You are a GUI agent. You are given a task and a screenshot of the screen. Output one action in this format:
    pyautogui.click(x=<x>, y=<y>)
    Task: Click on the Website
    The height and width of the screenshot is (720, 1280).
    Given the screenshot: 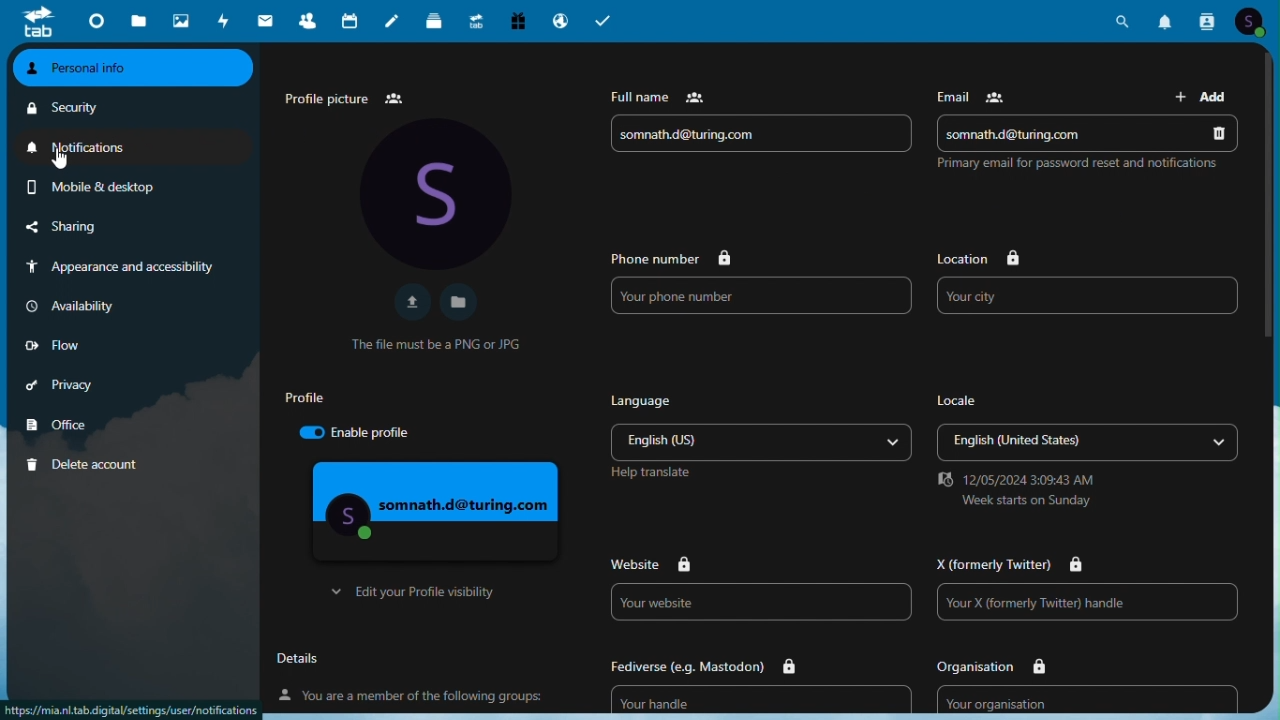 What is the action you would take?
    pyautogui.click(x=760, y=601)
    